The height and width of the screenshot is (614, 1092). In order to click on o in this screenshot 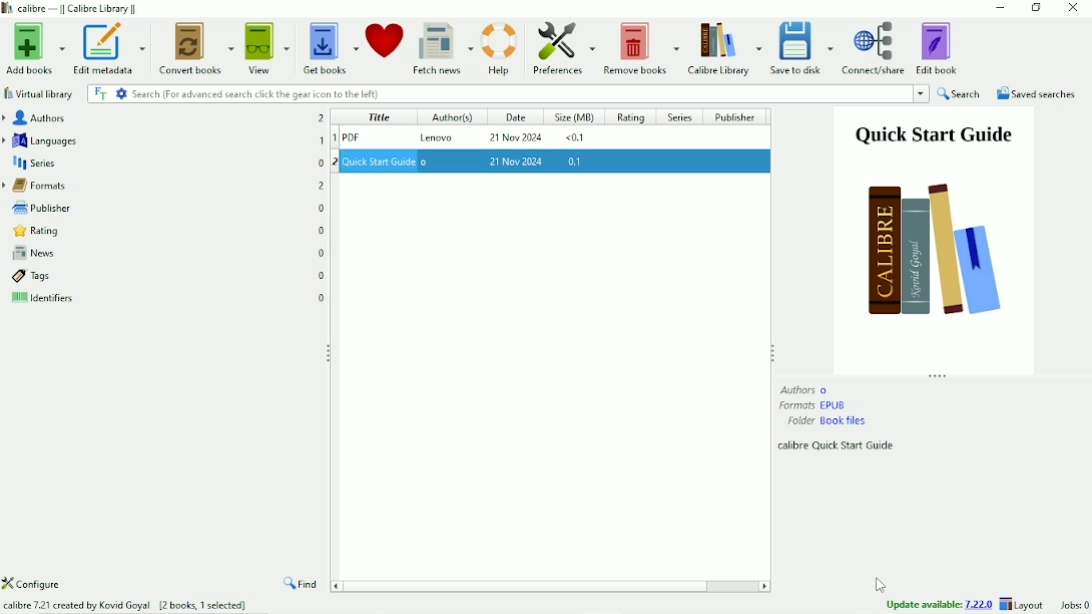, I will do `click(432, 162)`.